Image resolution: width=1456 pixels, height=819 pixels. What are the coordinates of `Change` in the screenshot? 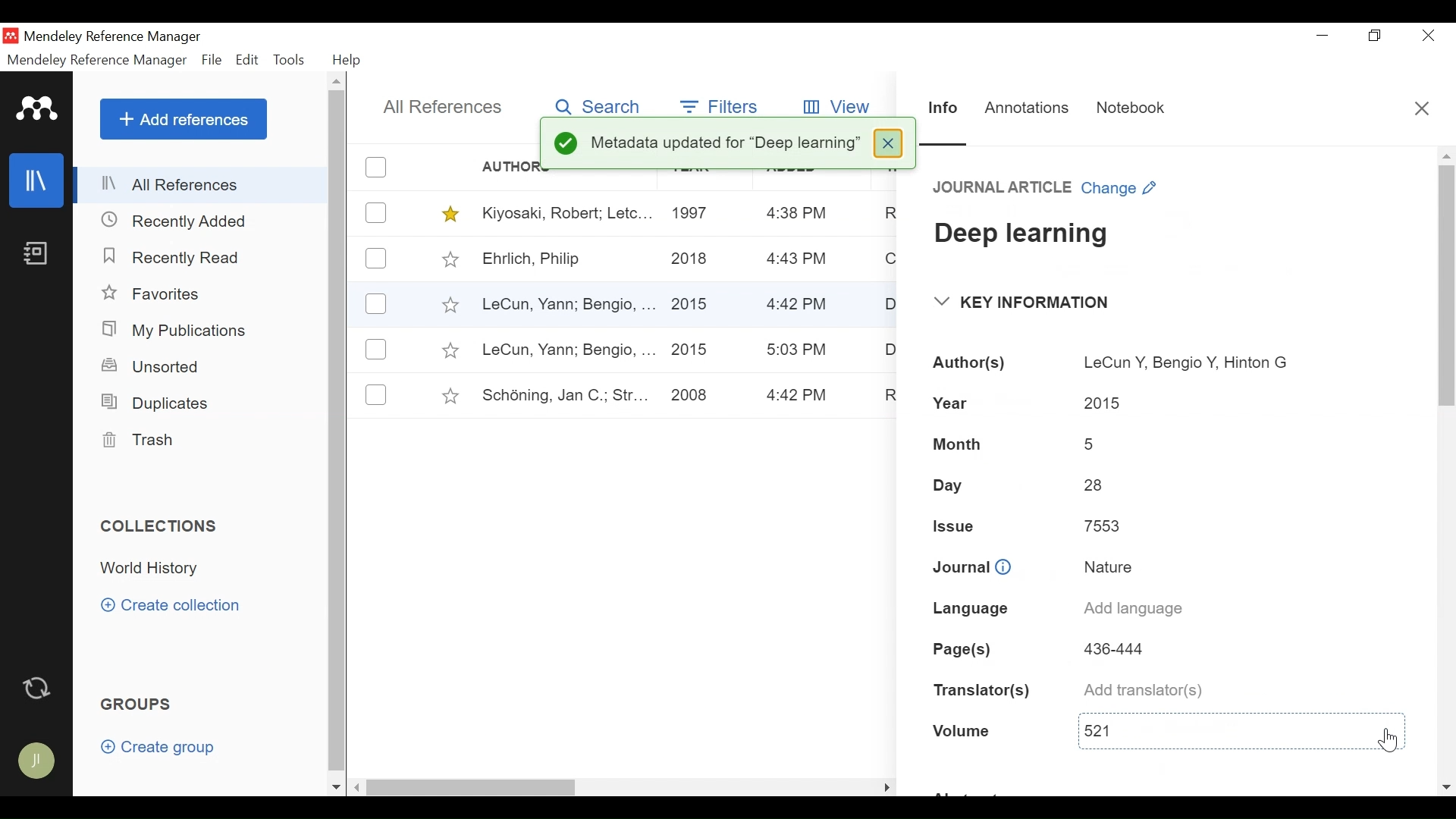 It's located at (1122, 186).